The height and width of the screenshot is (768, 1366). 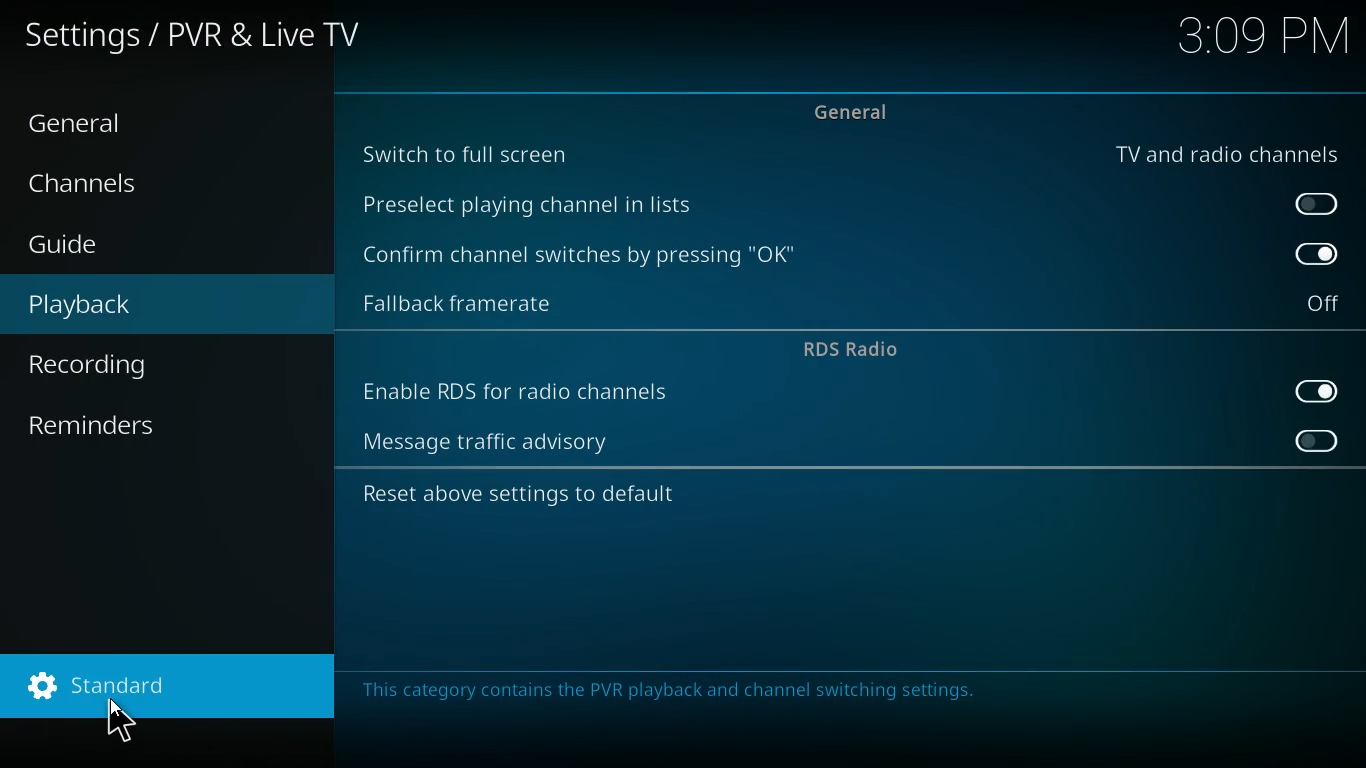 What do you see at coordinates (117, 365) in the screenshot?
I see `recording` at bounding box center [117, 365].